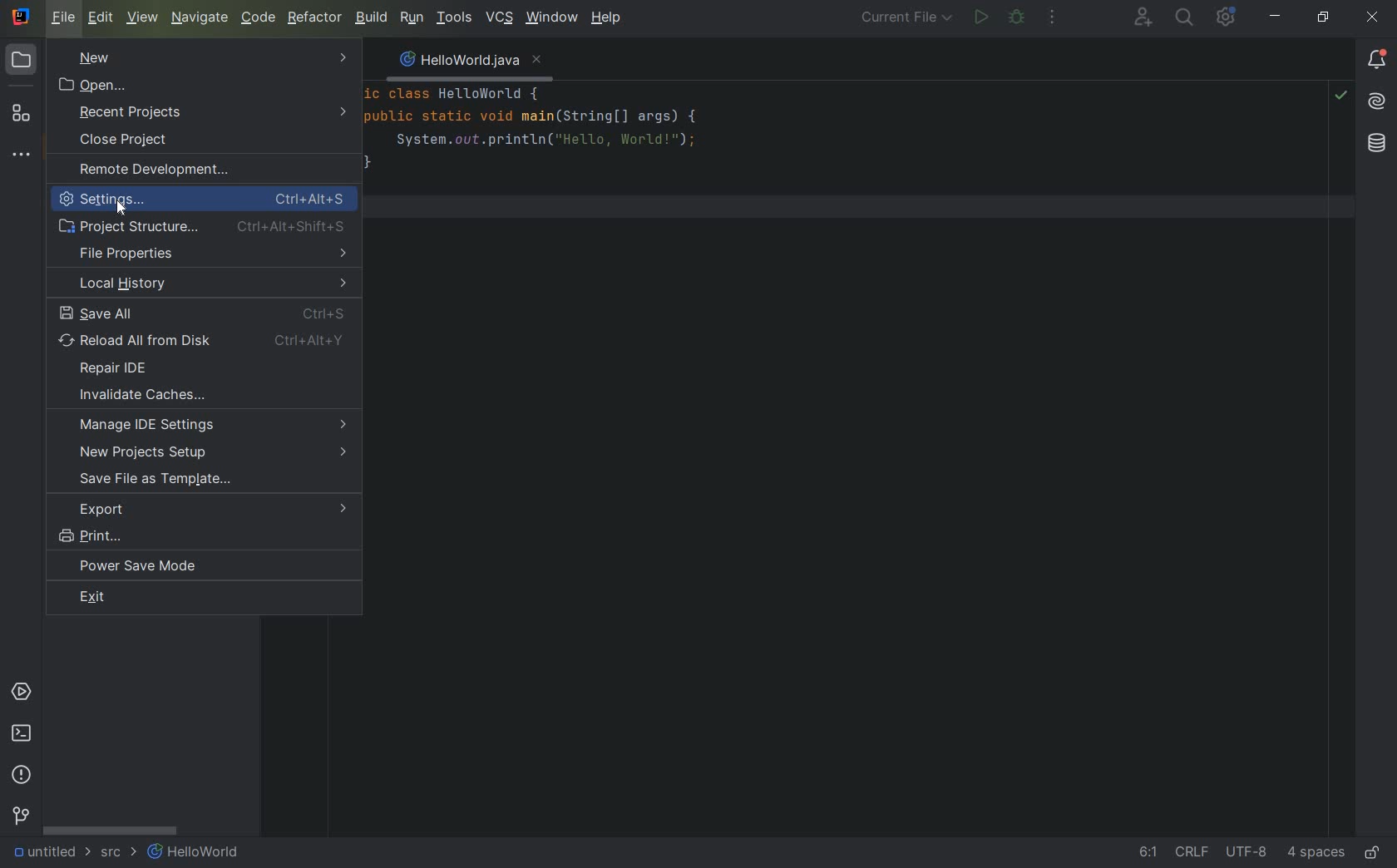 Image resolution: width=1397 pixels, height=868 pixels. I want to click on save file as template, so click(206, 481).